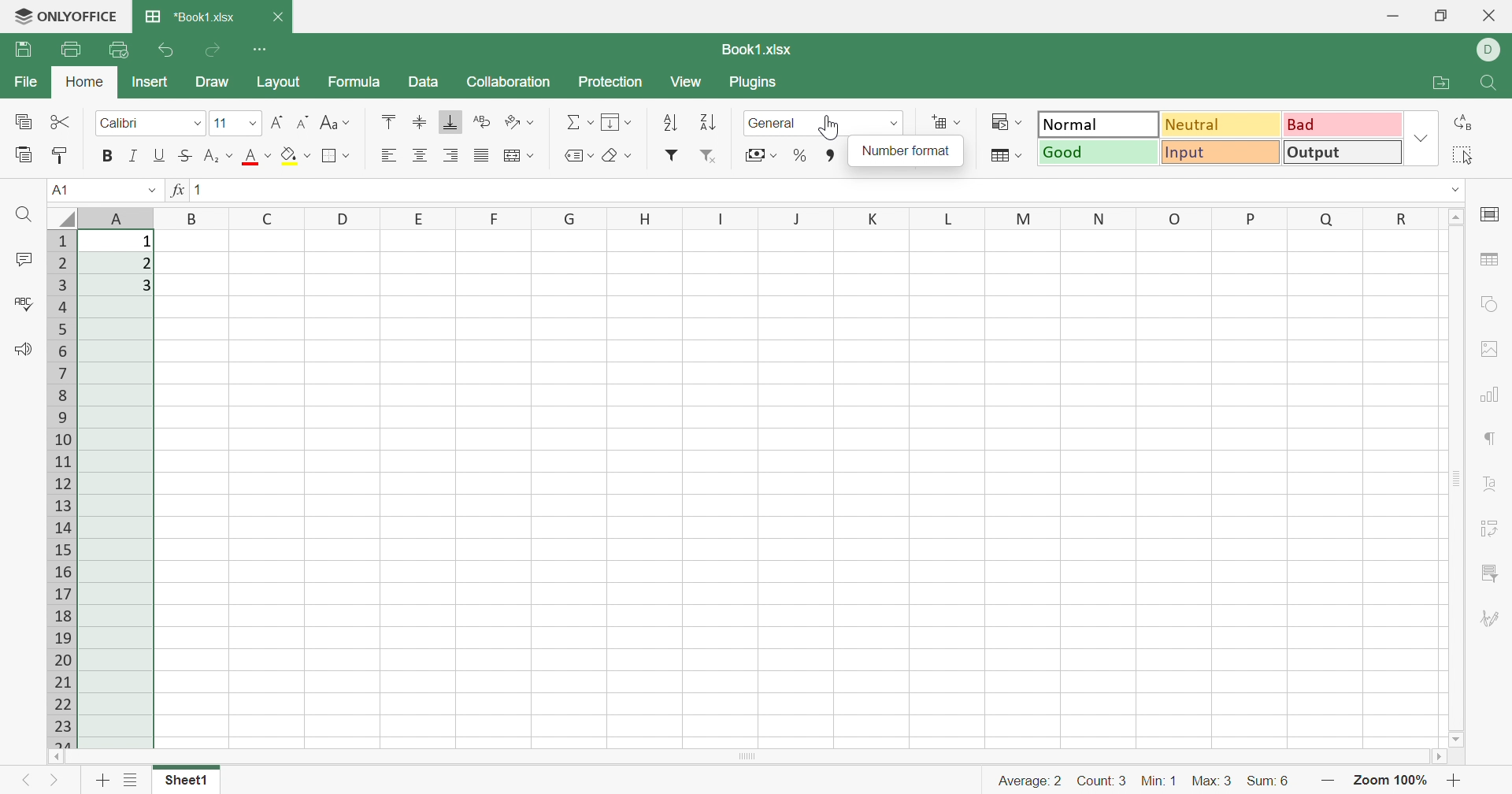 Image resolution: width=1512 pixels, height=794 pixels. Describe the element at coordinates (520, 123) in the screenshot. I see `Orientation` at that location.